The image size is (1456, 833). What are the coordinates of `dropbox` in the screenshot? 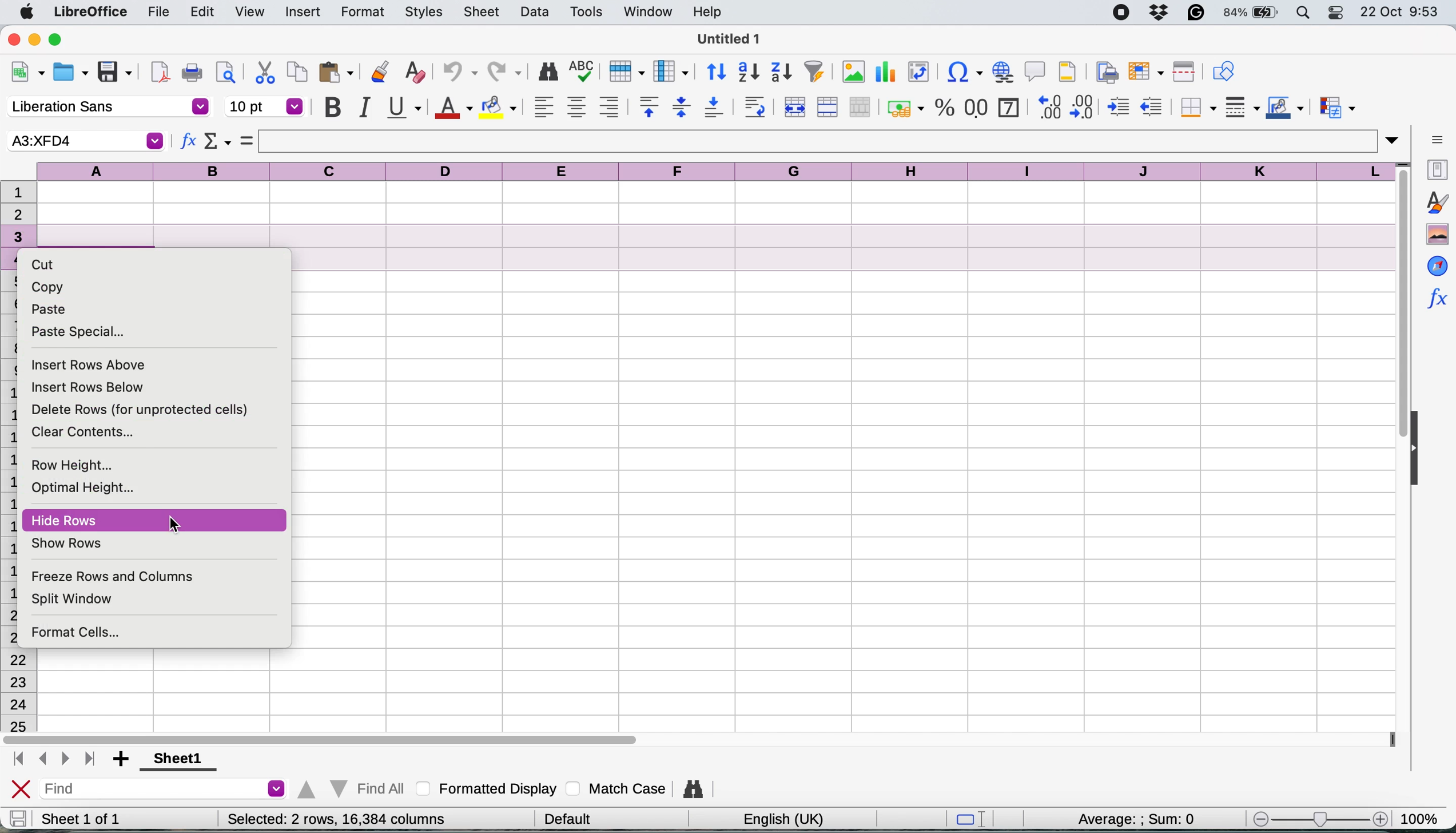 It's located at (1163, 12).